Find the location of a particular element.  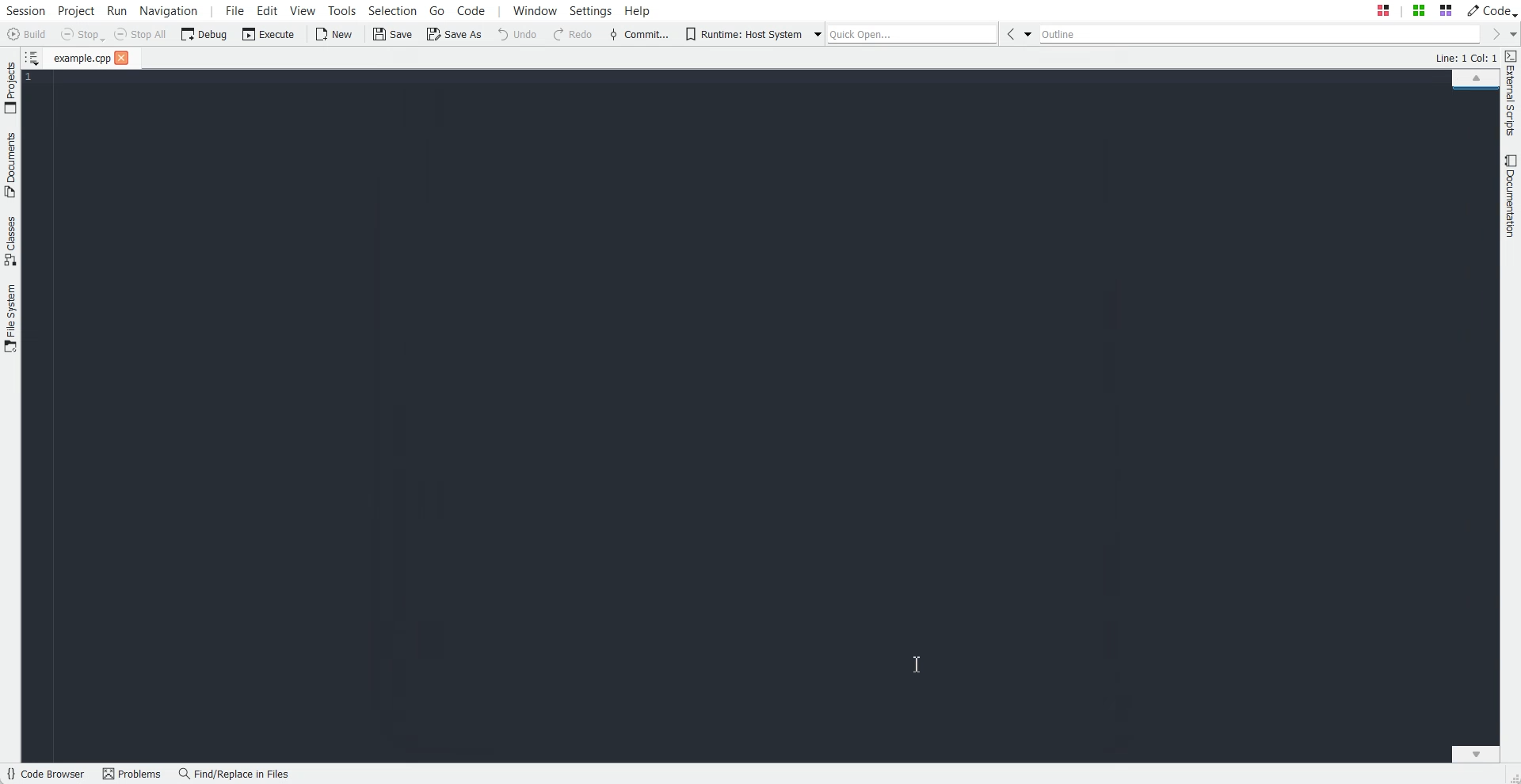

Problems is located at coordinates (135, 774).